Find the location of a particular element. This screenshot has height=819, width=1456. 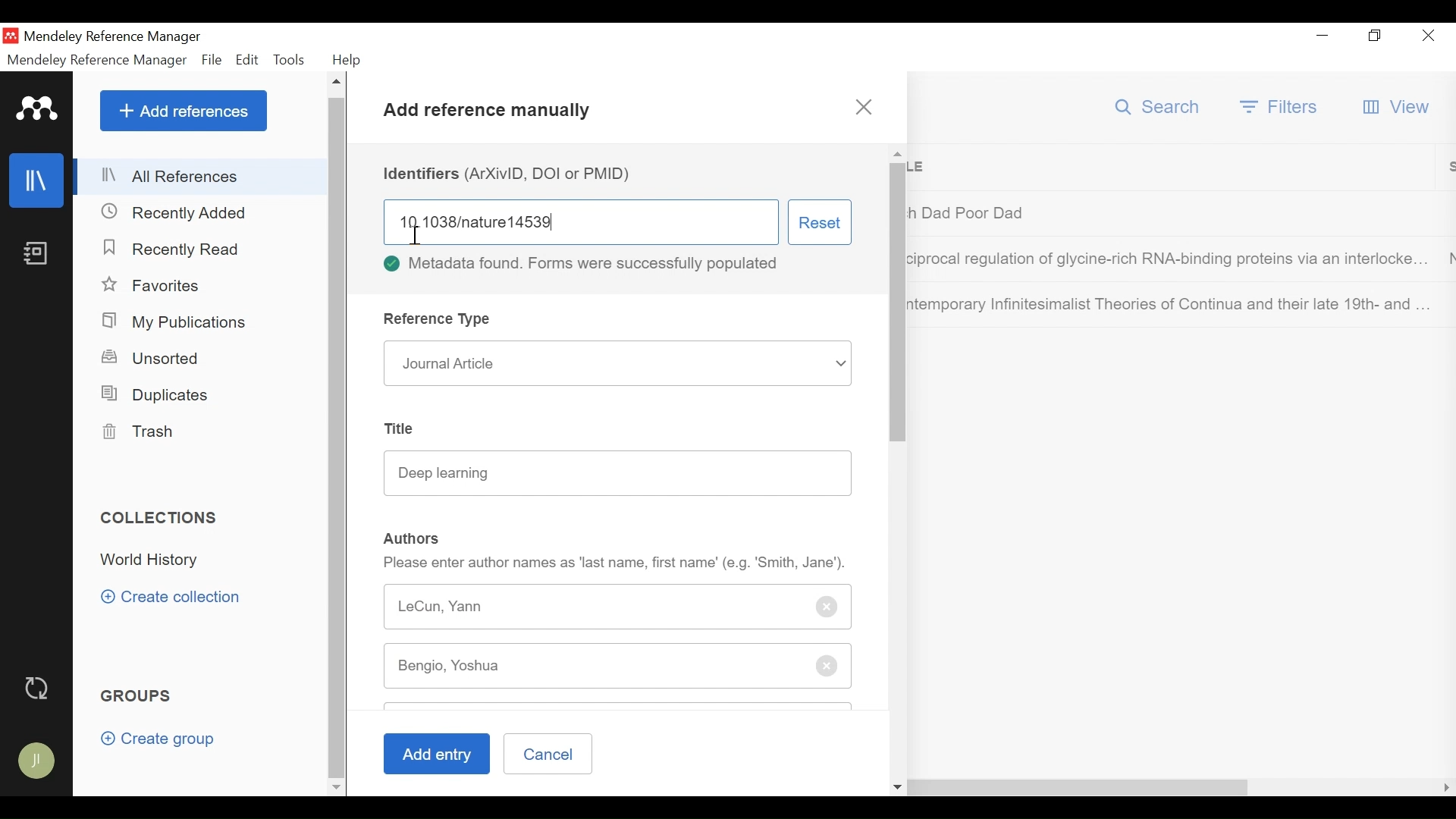

Reference Type is located at coordinates (440, 318).